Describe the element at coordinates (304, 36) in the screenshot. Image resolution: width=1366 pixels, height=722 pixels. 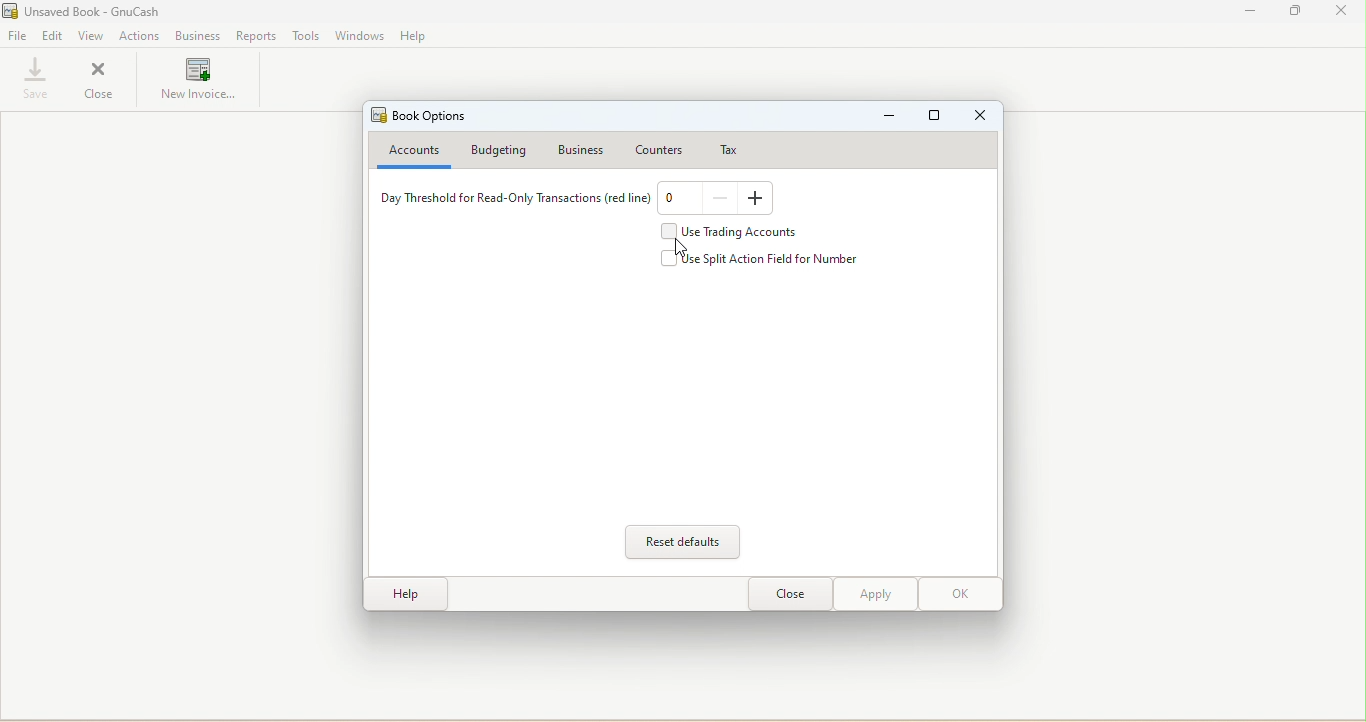
I see `Tools` at that location.